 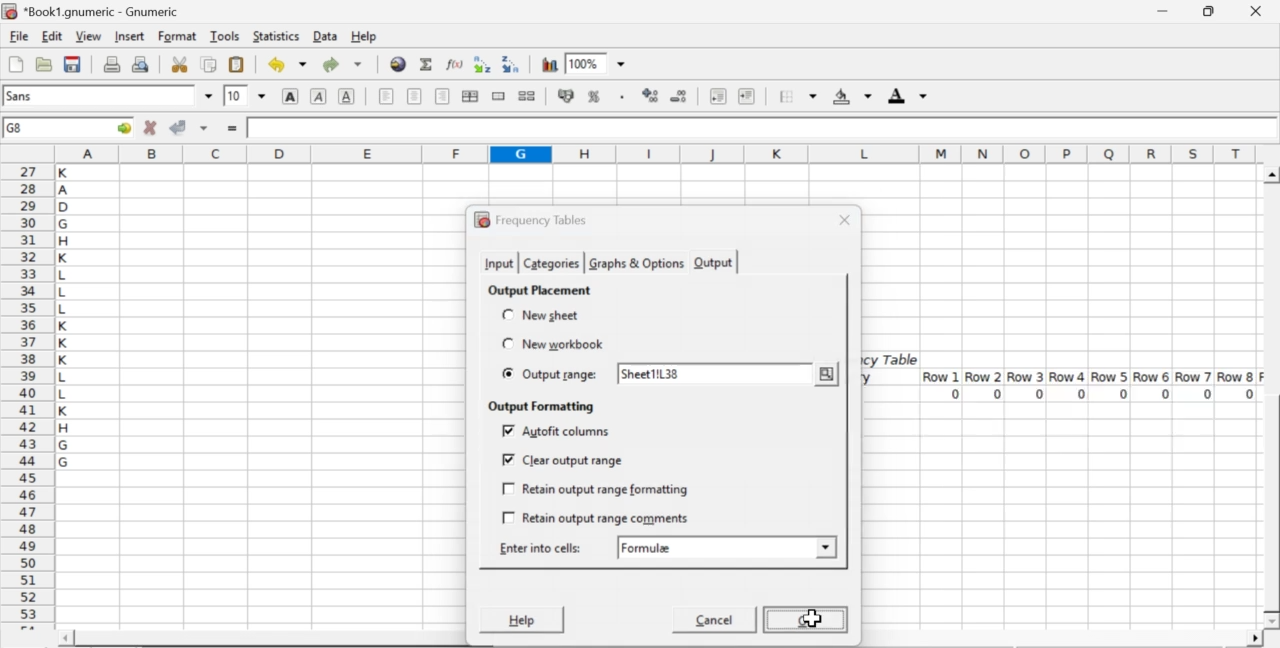 What do you see at coordinates (904, 377) in the screenshot?
I see `frequency table` at bounding box center [904, 377].